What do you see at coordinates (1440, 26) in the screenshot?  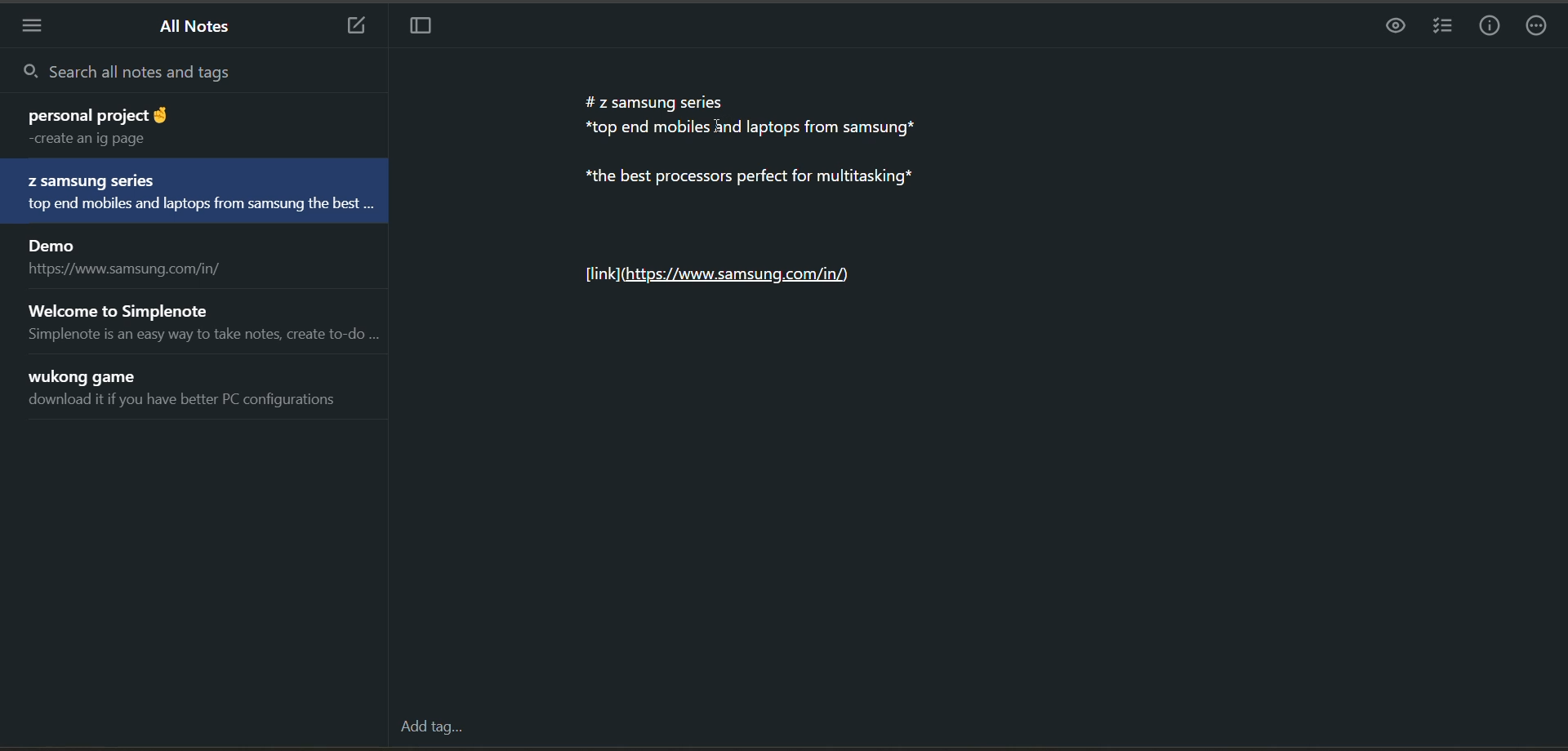 I see `insert checklist` at bounding box center [1440, 26].